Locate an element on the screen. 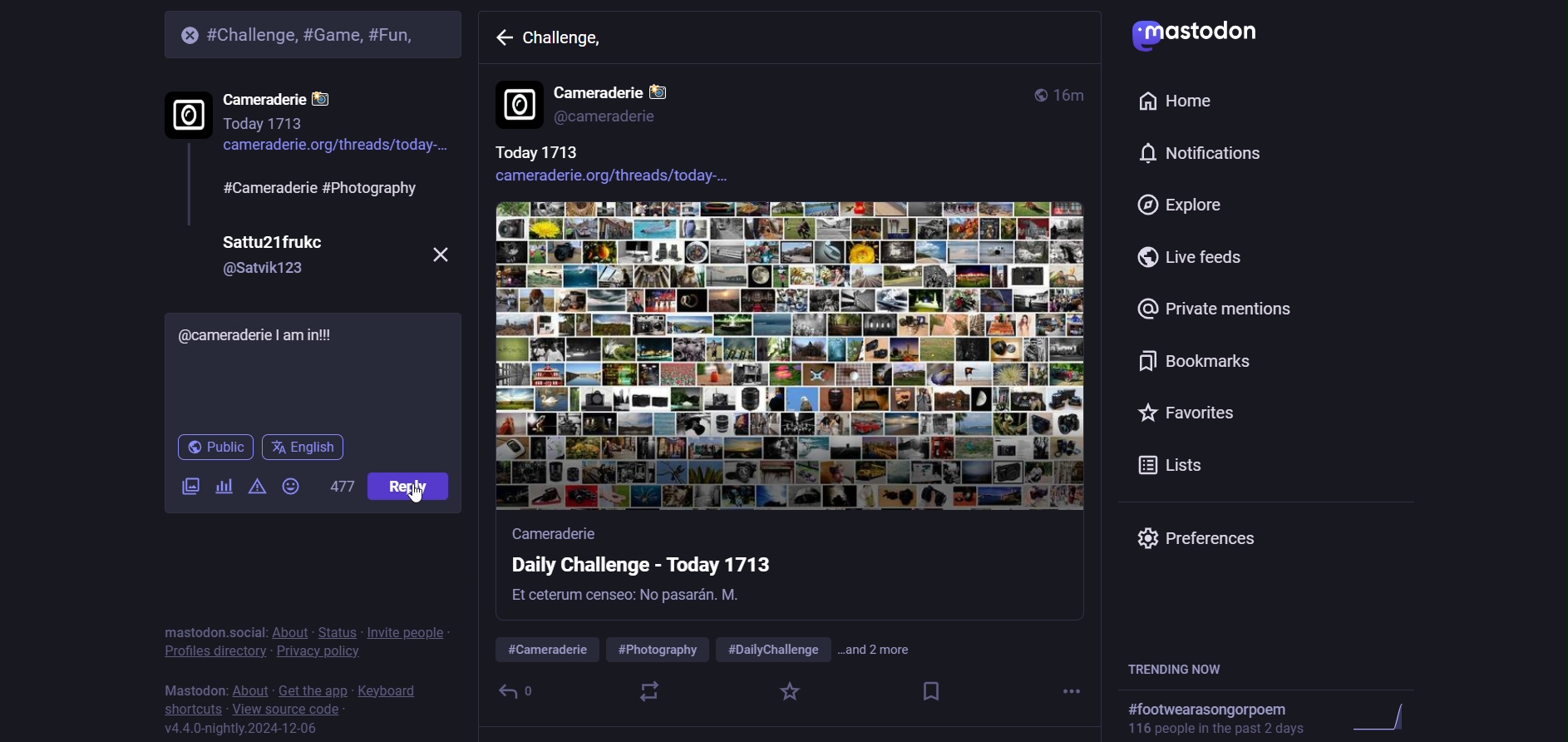  boost is located at coordinates (648, 692).